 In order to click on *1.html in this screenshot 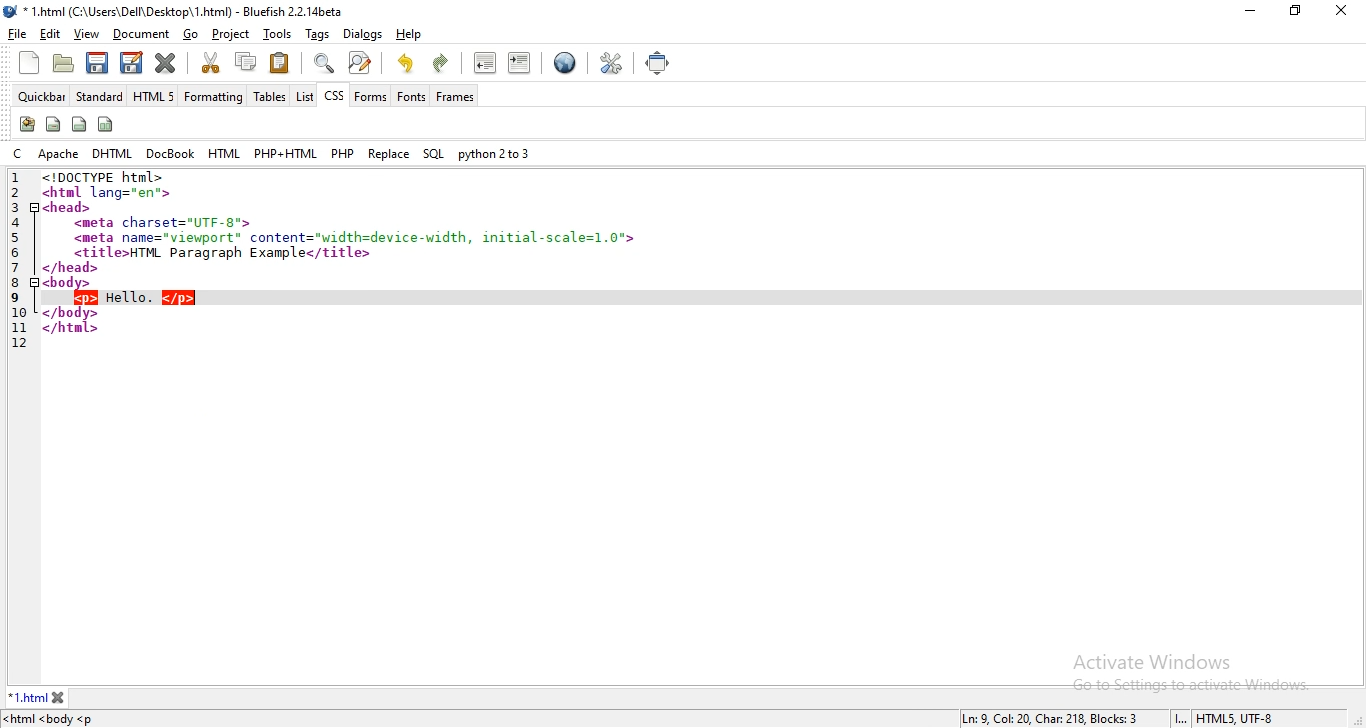, I will do `click(28, 697)`.